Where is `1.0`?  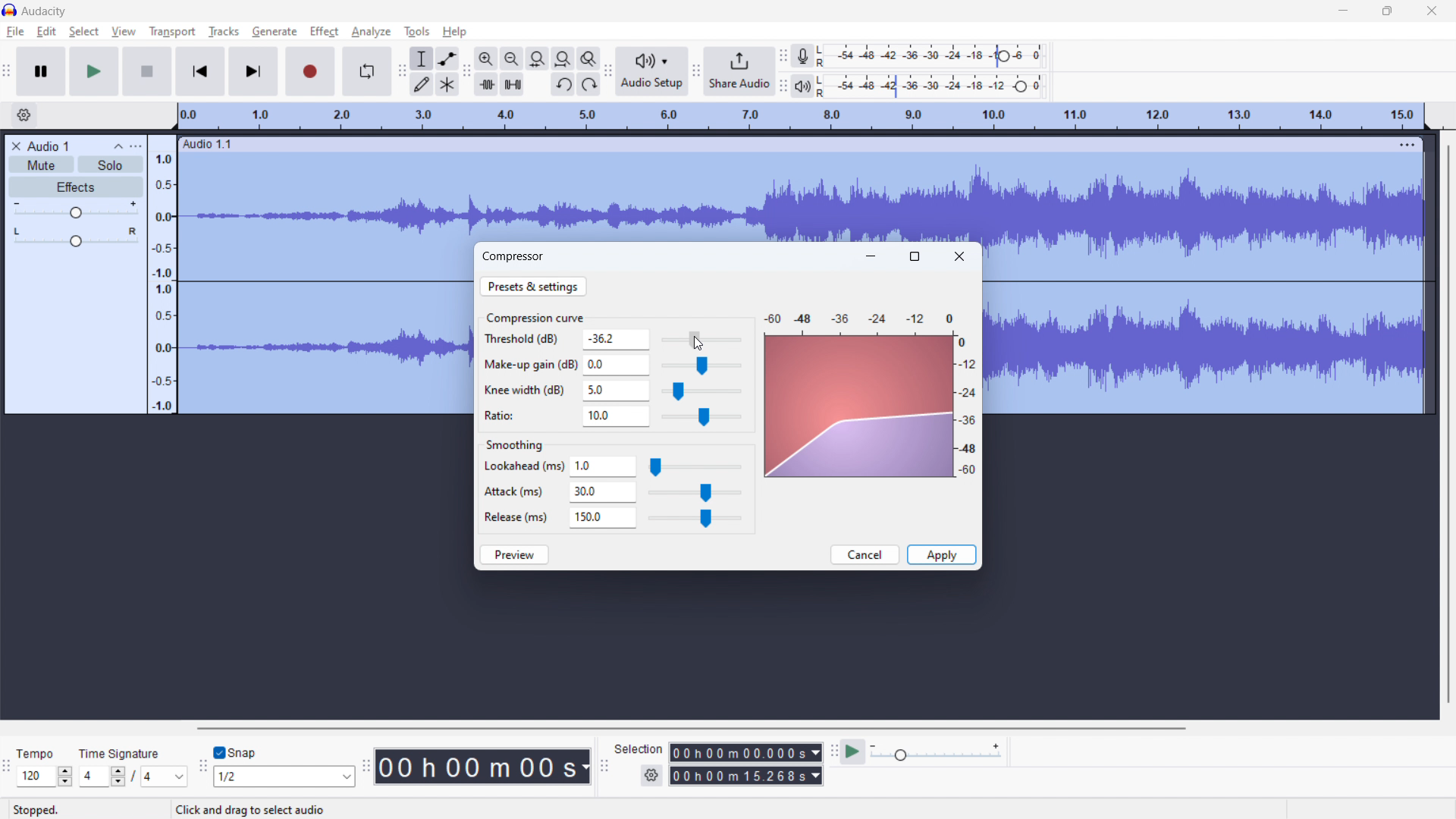 1.0 is located at coordinates (604, 467).